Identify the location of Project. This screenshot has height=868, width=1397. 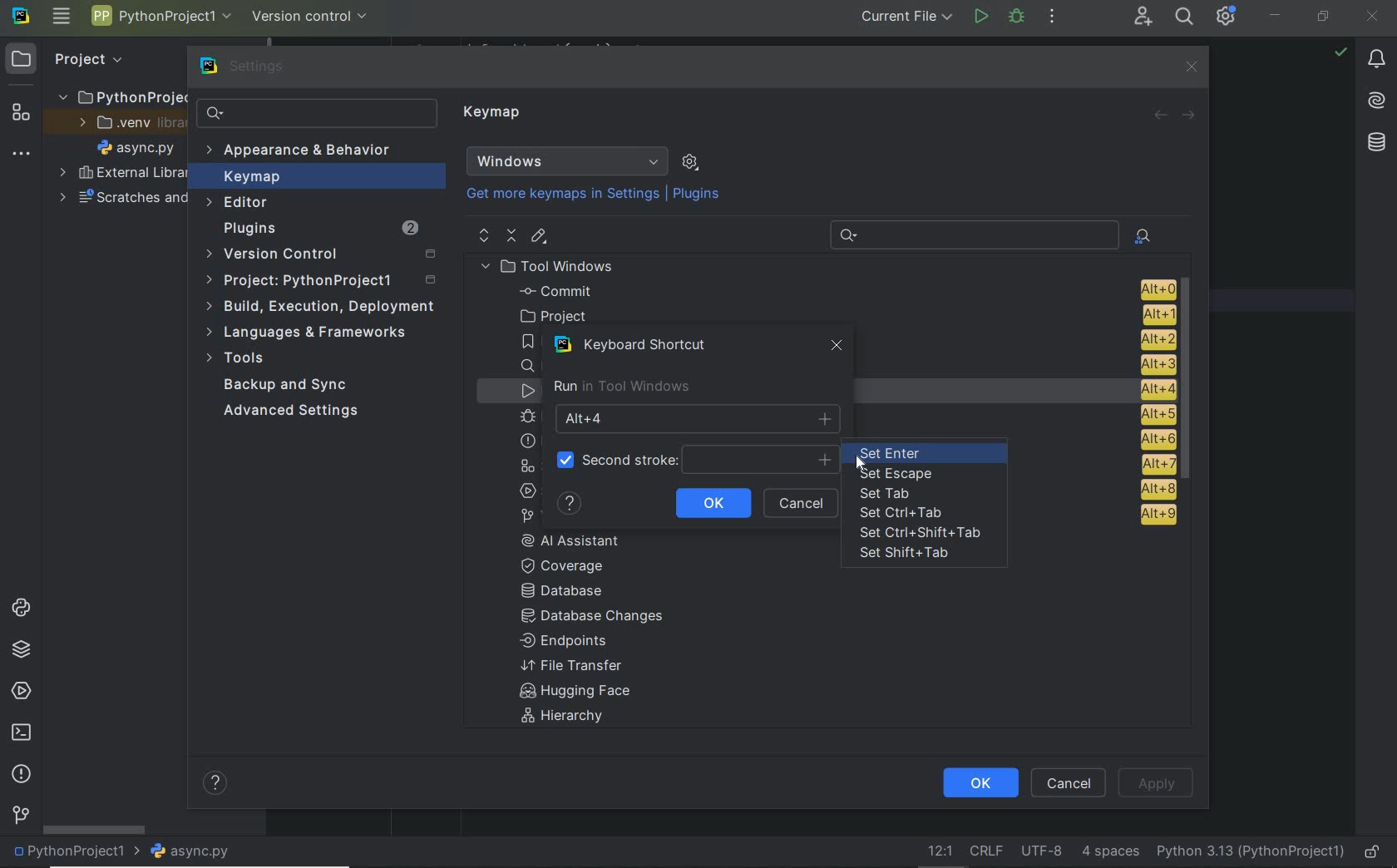
(324, 281).